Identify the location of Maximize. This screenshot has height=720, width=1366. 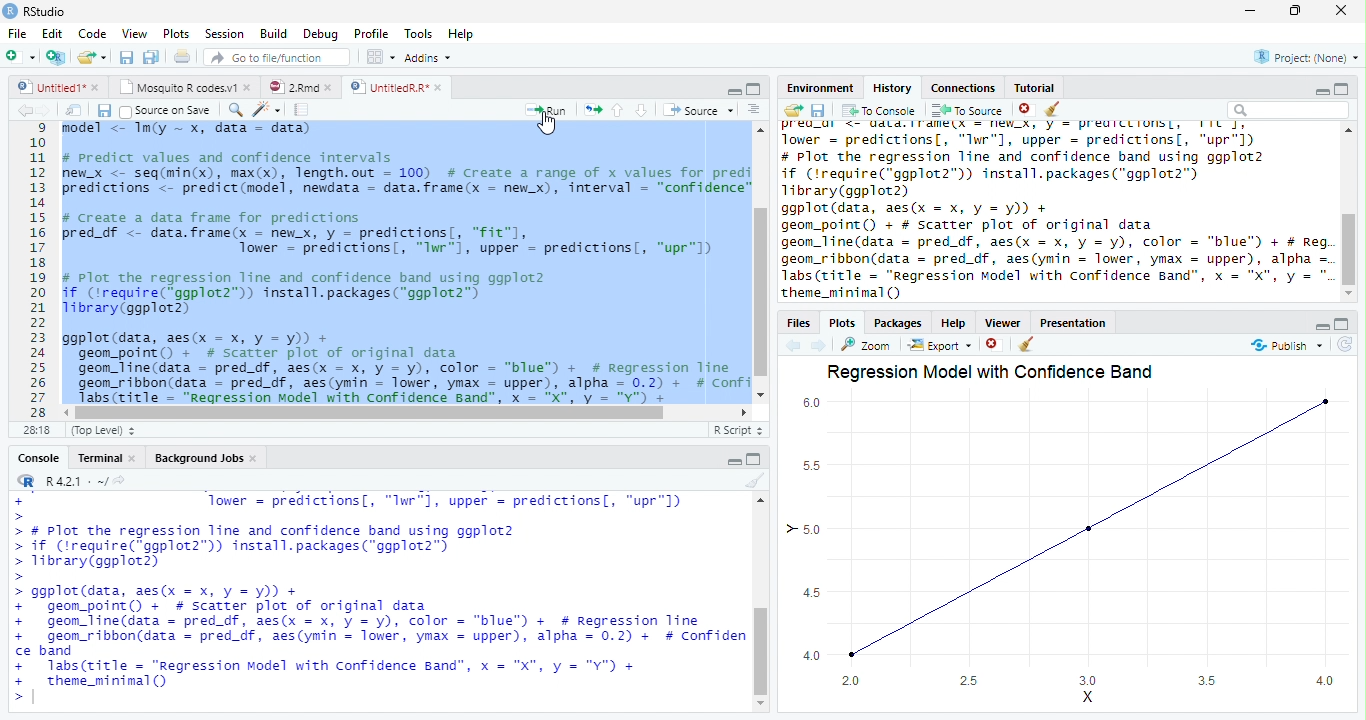
(1344, 88).